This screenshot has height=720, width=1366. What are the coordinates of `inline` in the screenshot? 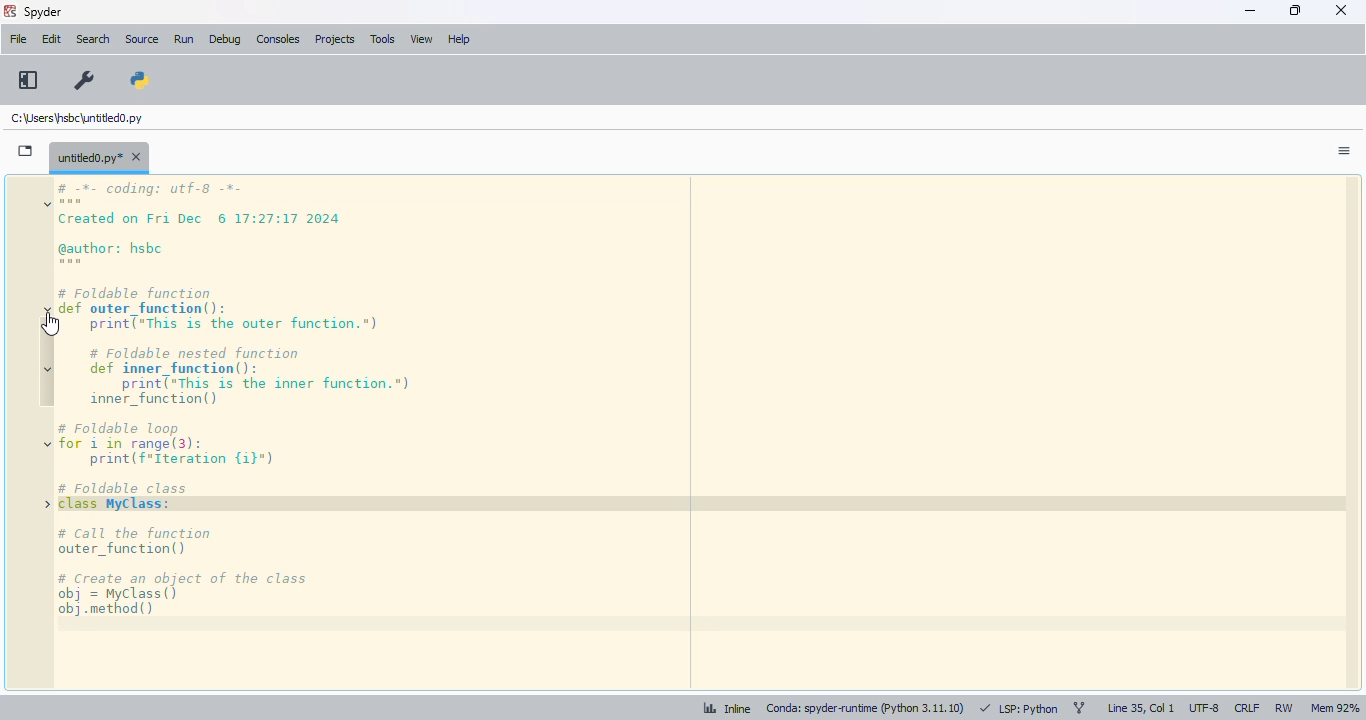 It's located at (719, 710).